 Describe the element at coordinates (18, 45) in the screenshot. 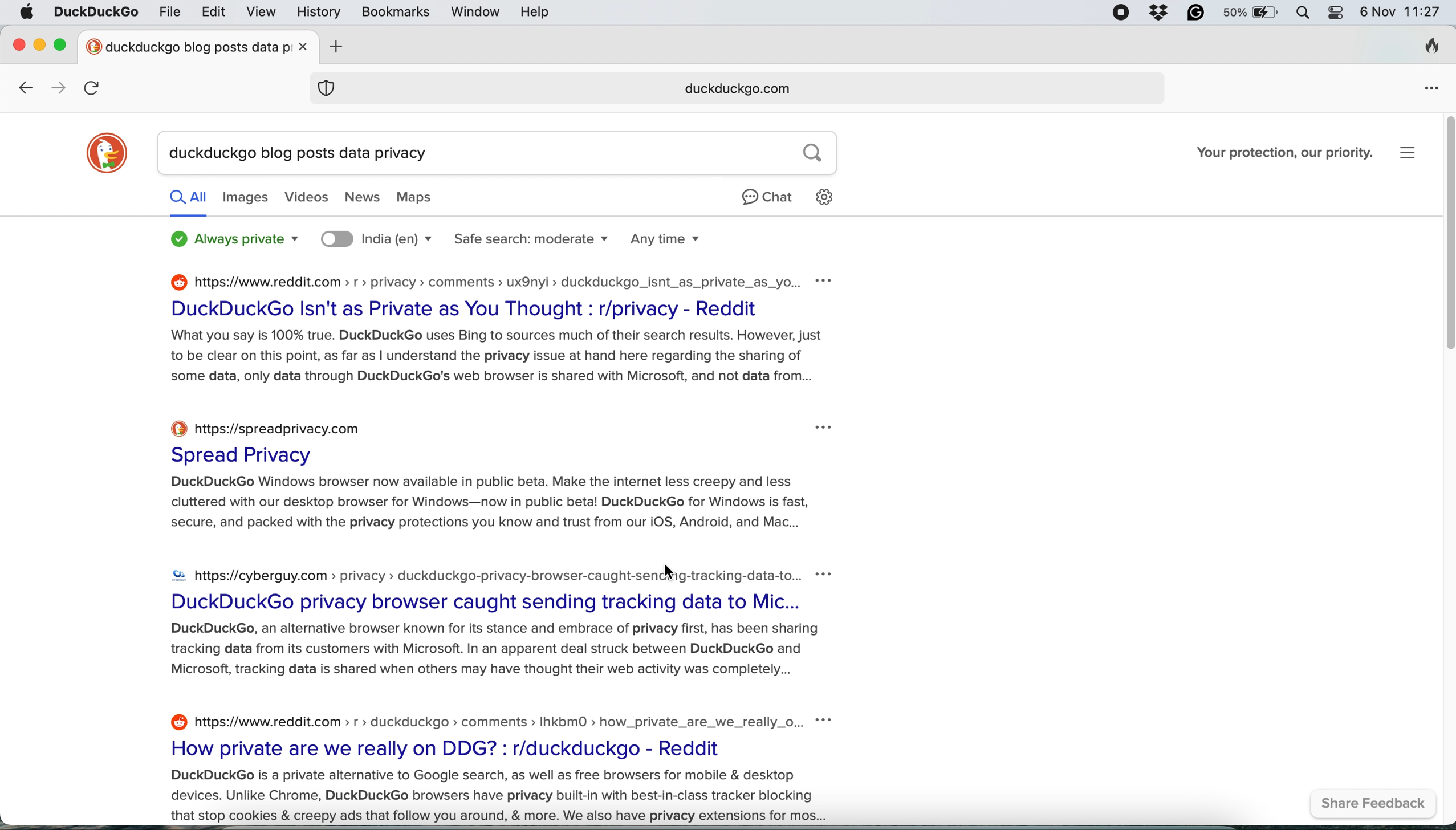

I see `close` at that location.